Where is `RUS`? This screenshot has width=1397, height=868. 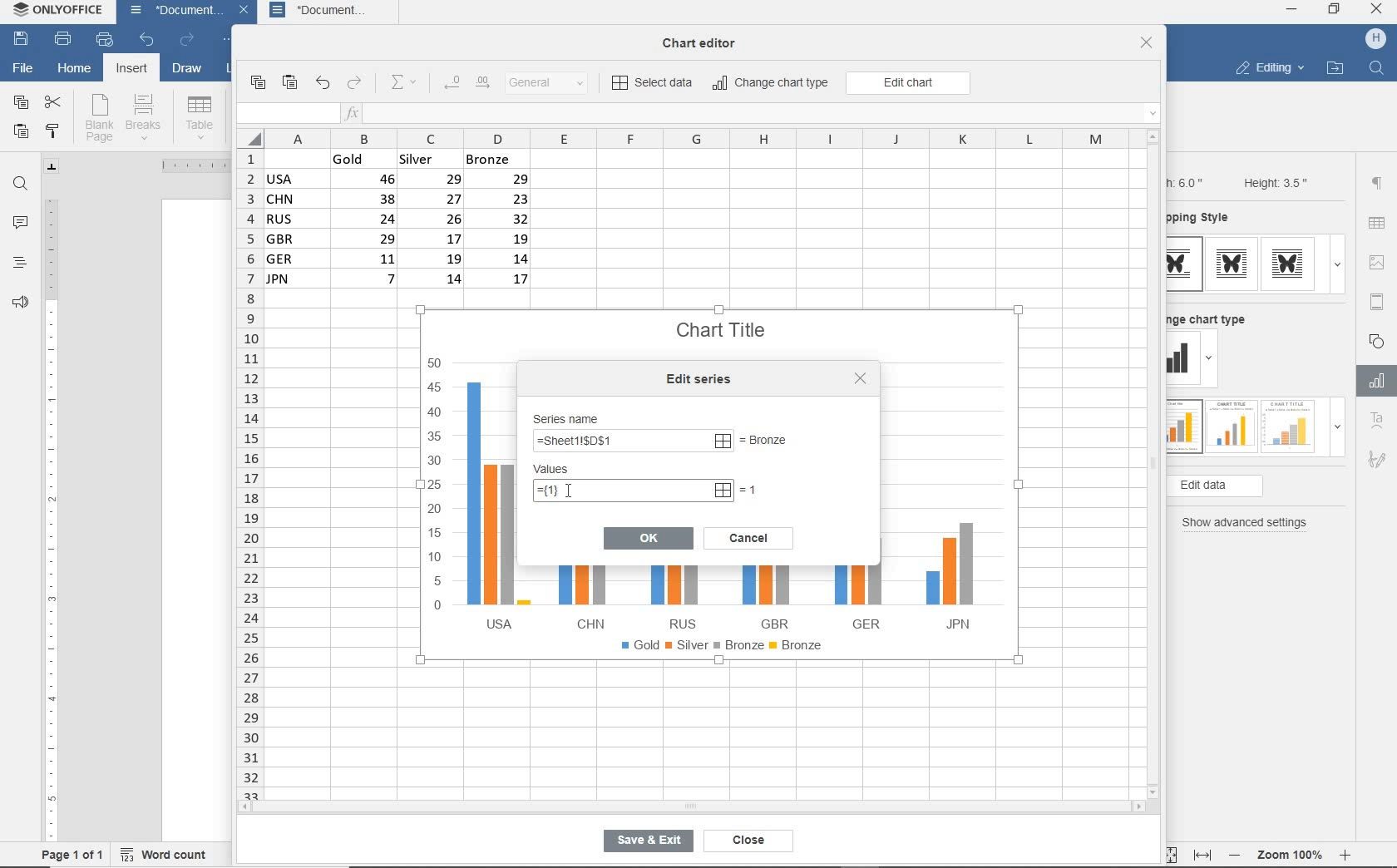
RUS is located at coordinates (678, 597).